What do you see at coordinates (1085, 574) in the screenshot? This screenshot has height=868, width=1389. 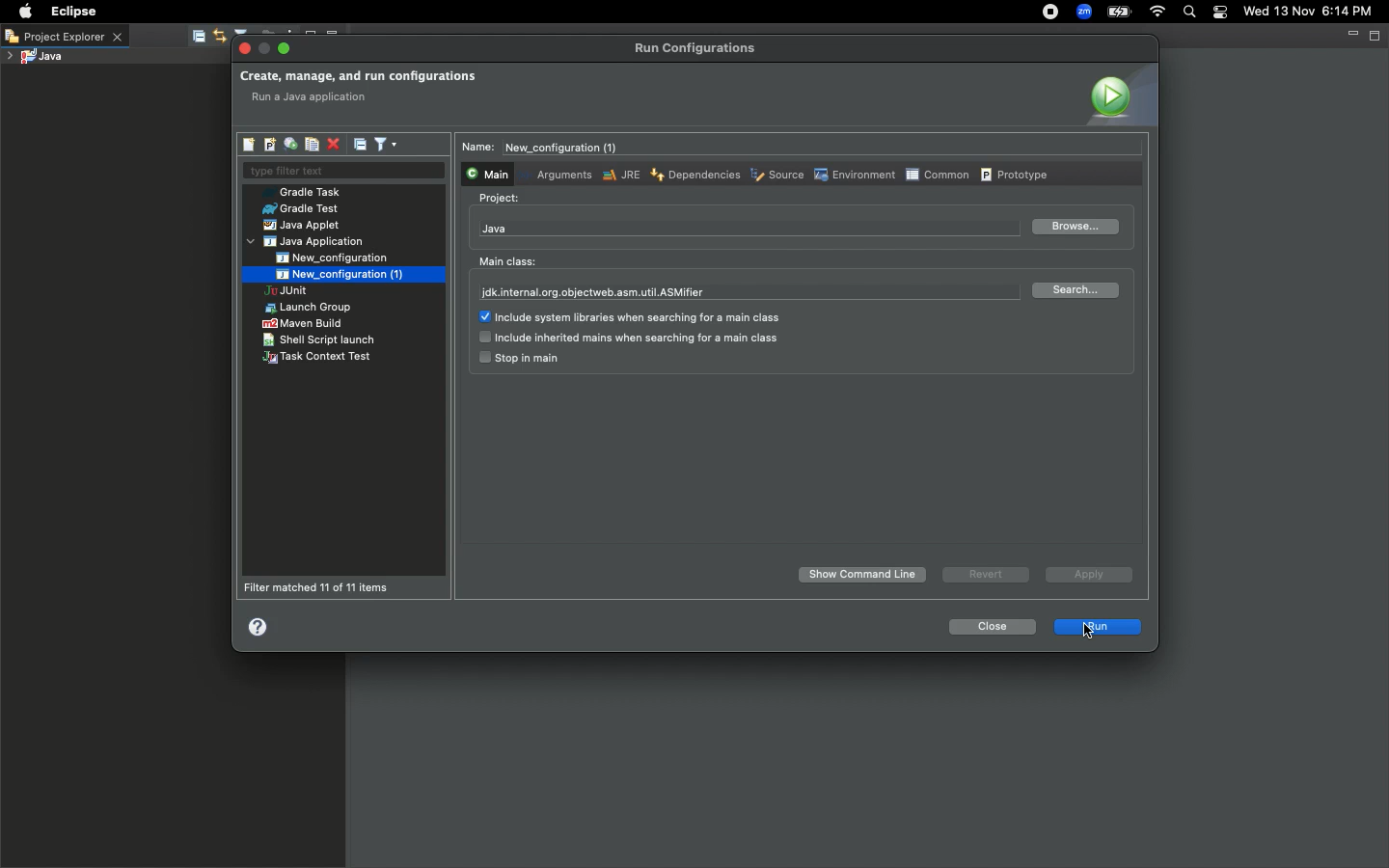 I see `Apply` at bounding box center [1085, 574].